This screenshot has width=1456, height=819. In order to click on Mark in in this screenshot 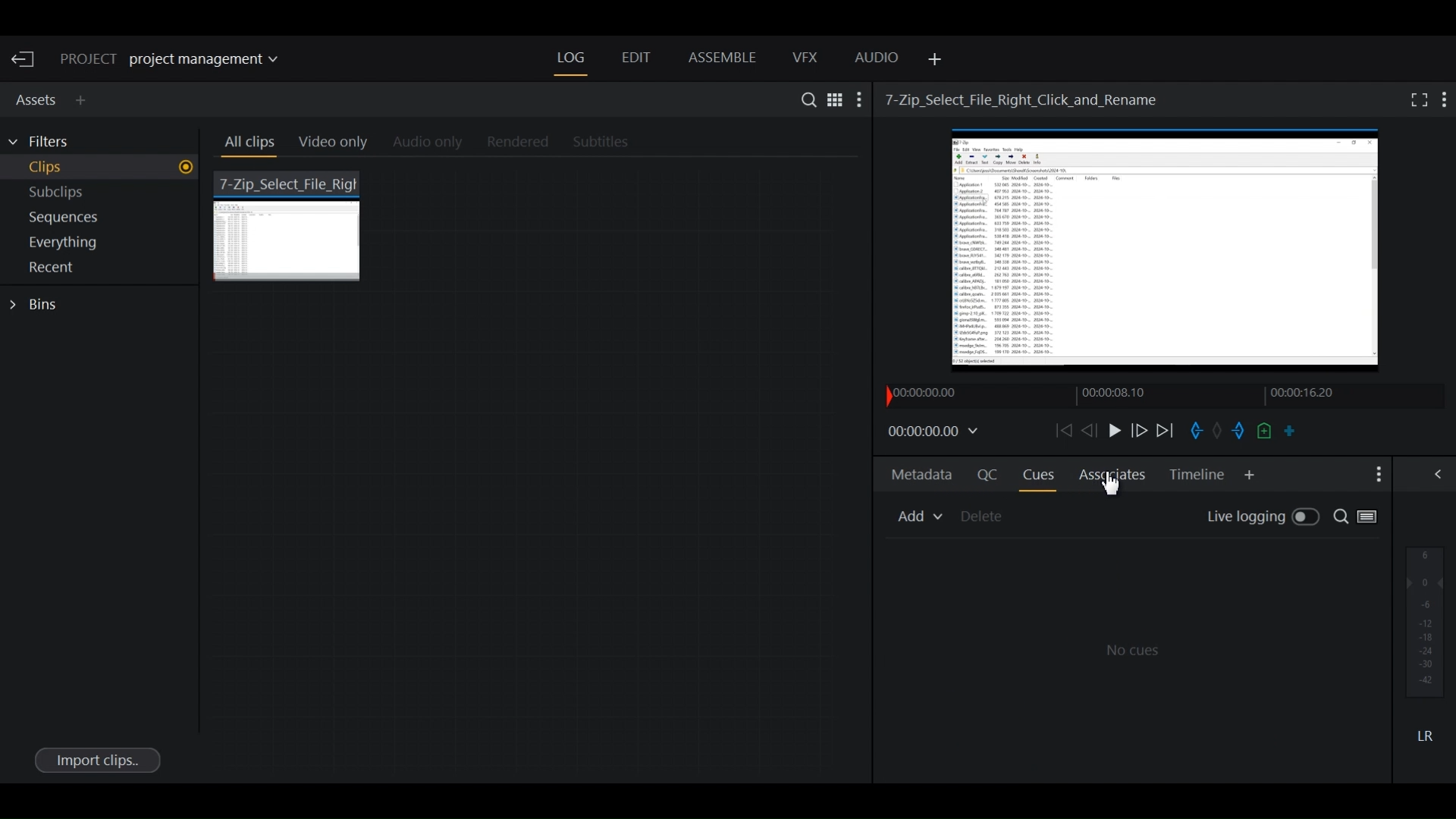, I will do `click(1195, 431)`.